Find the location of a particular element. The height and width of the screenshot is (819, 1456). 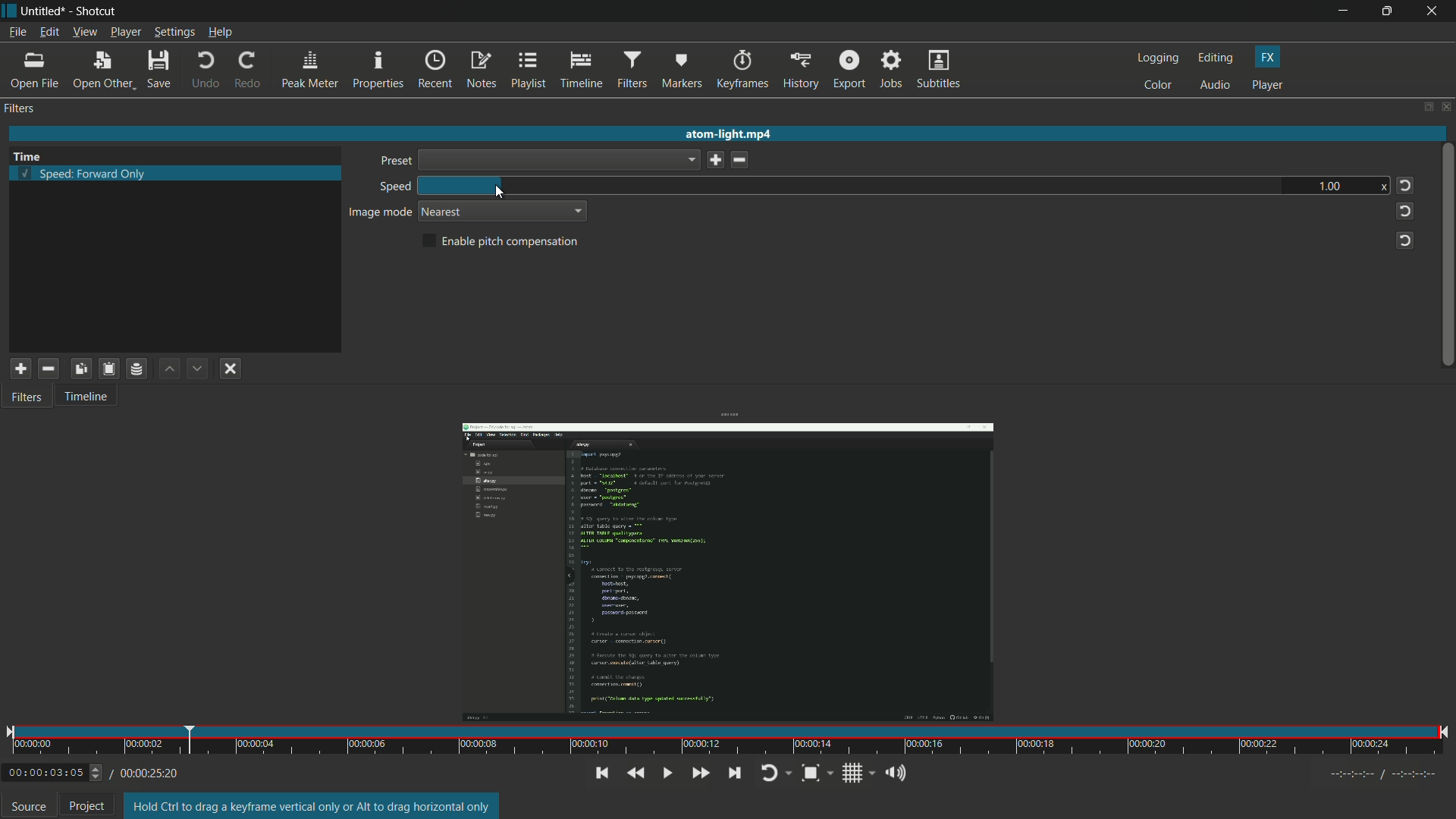

cursor is located at coordinates (499, 191).